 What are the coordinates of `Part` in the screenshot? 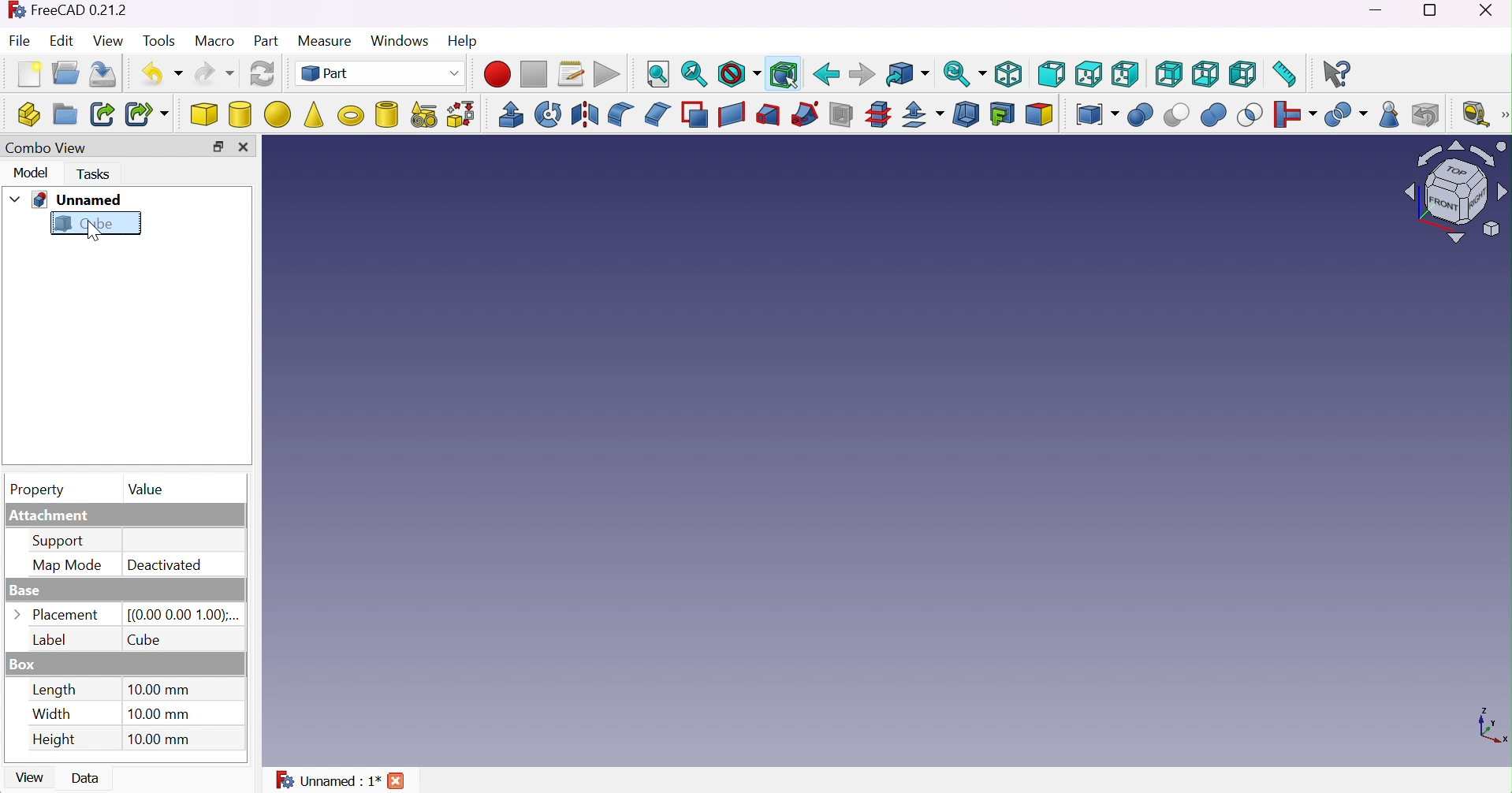 It's located at (381, 73).